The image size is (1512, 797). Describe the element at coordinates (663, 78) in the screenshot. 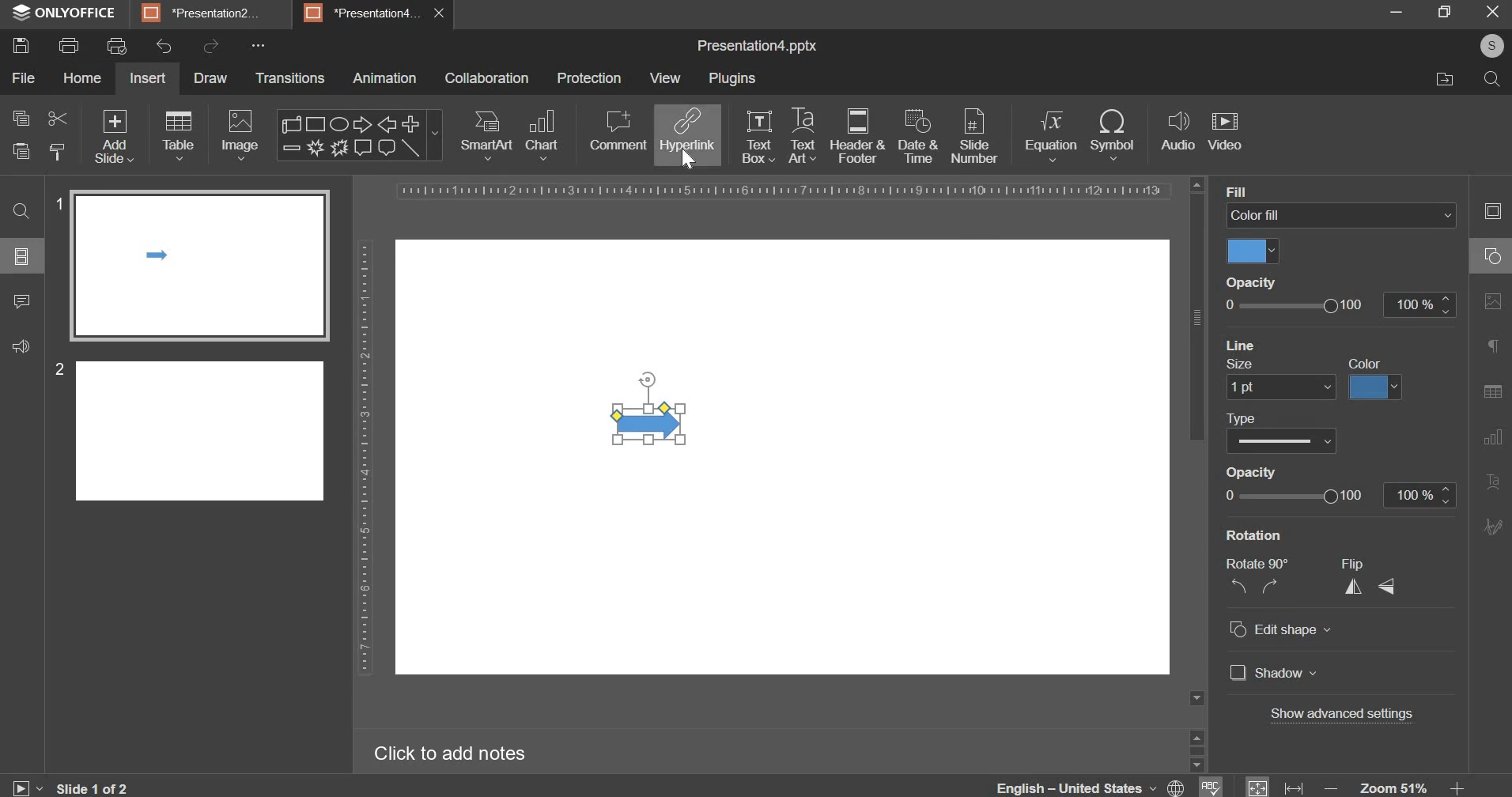

I see `view` at that location.